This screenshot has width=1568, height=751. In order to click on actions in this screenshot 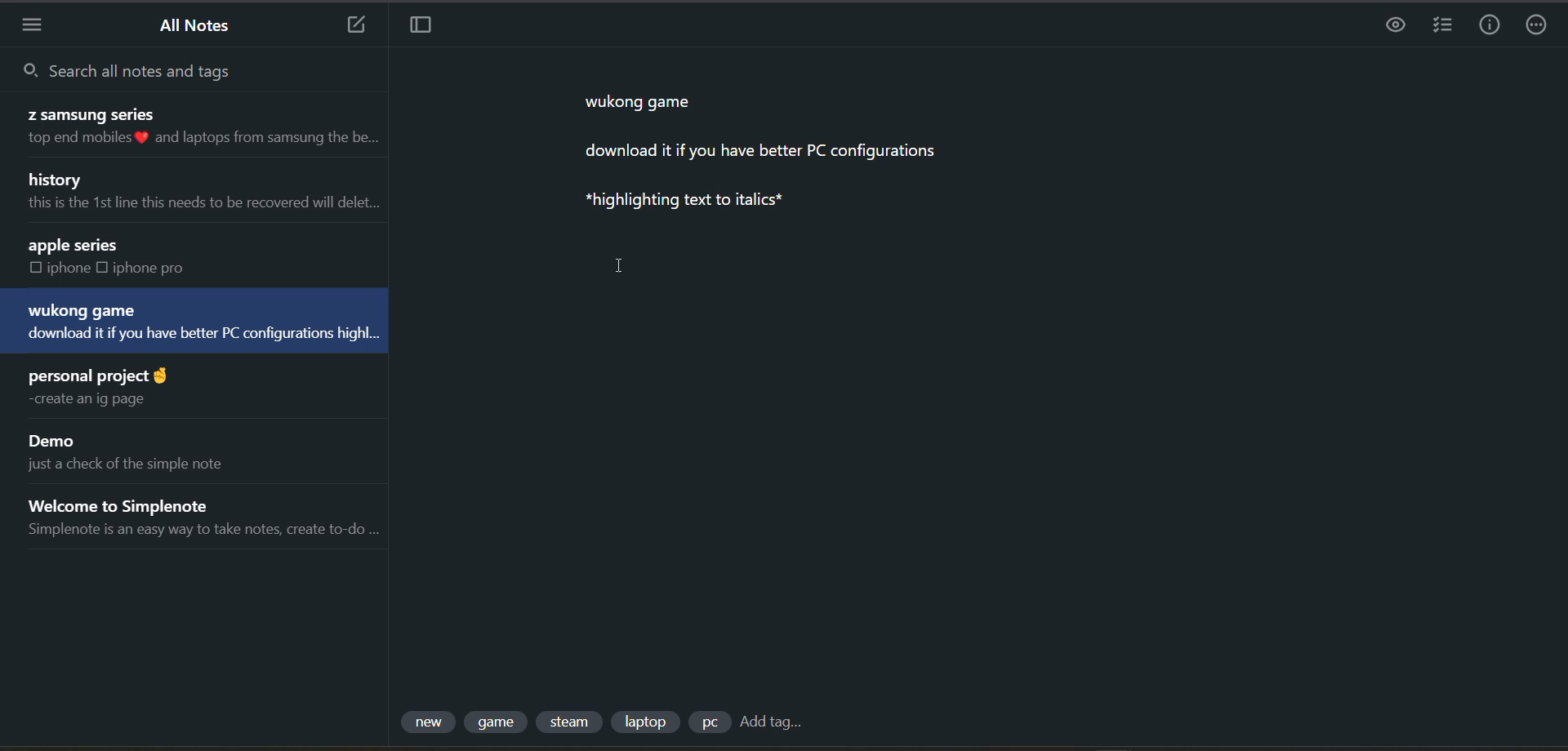, I will do `click(1536, 26)`.